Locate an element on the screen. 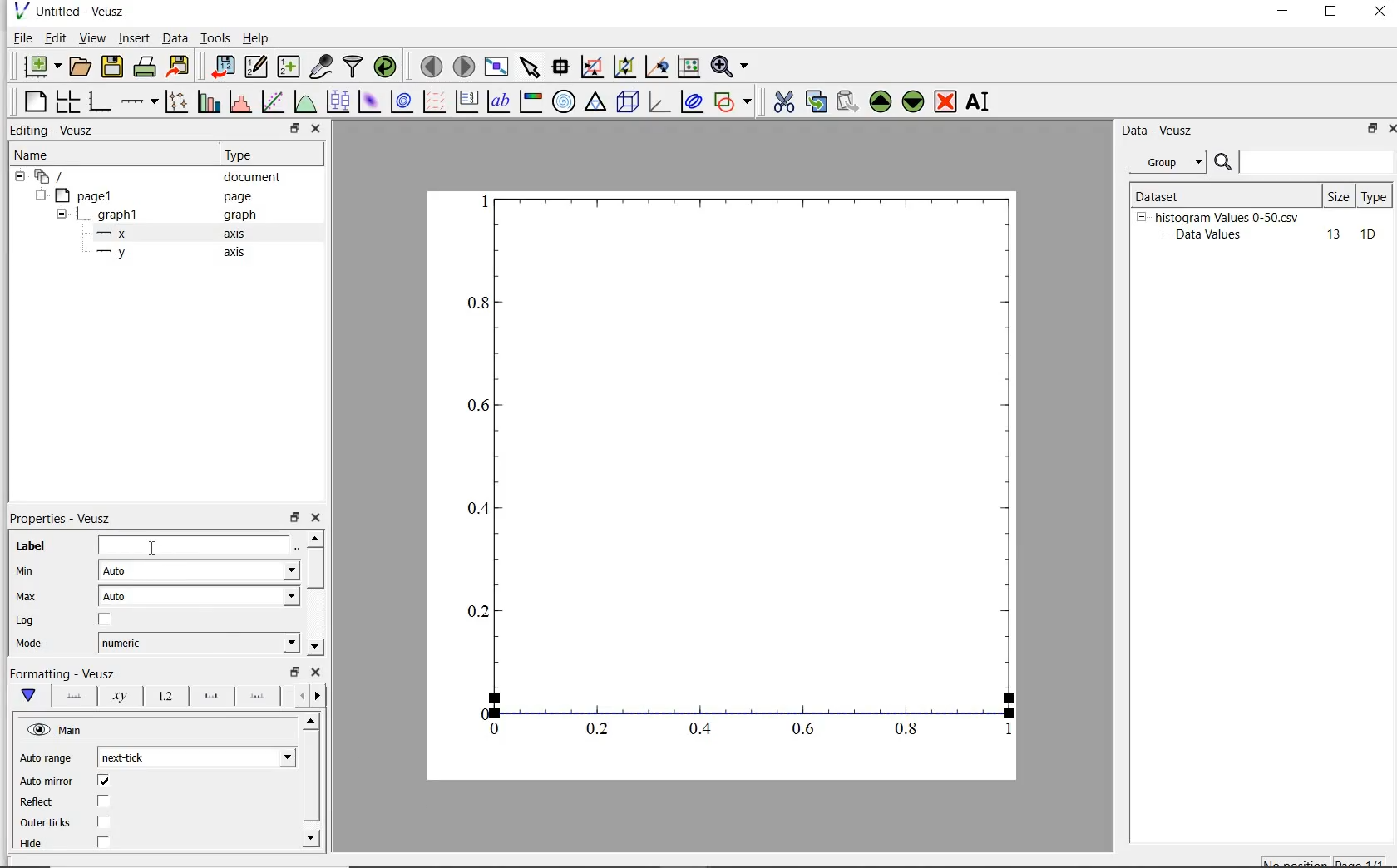  close is located at coordinates (316, 672).